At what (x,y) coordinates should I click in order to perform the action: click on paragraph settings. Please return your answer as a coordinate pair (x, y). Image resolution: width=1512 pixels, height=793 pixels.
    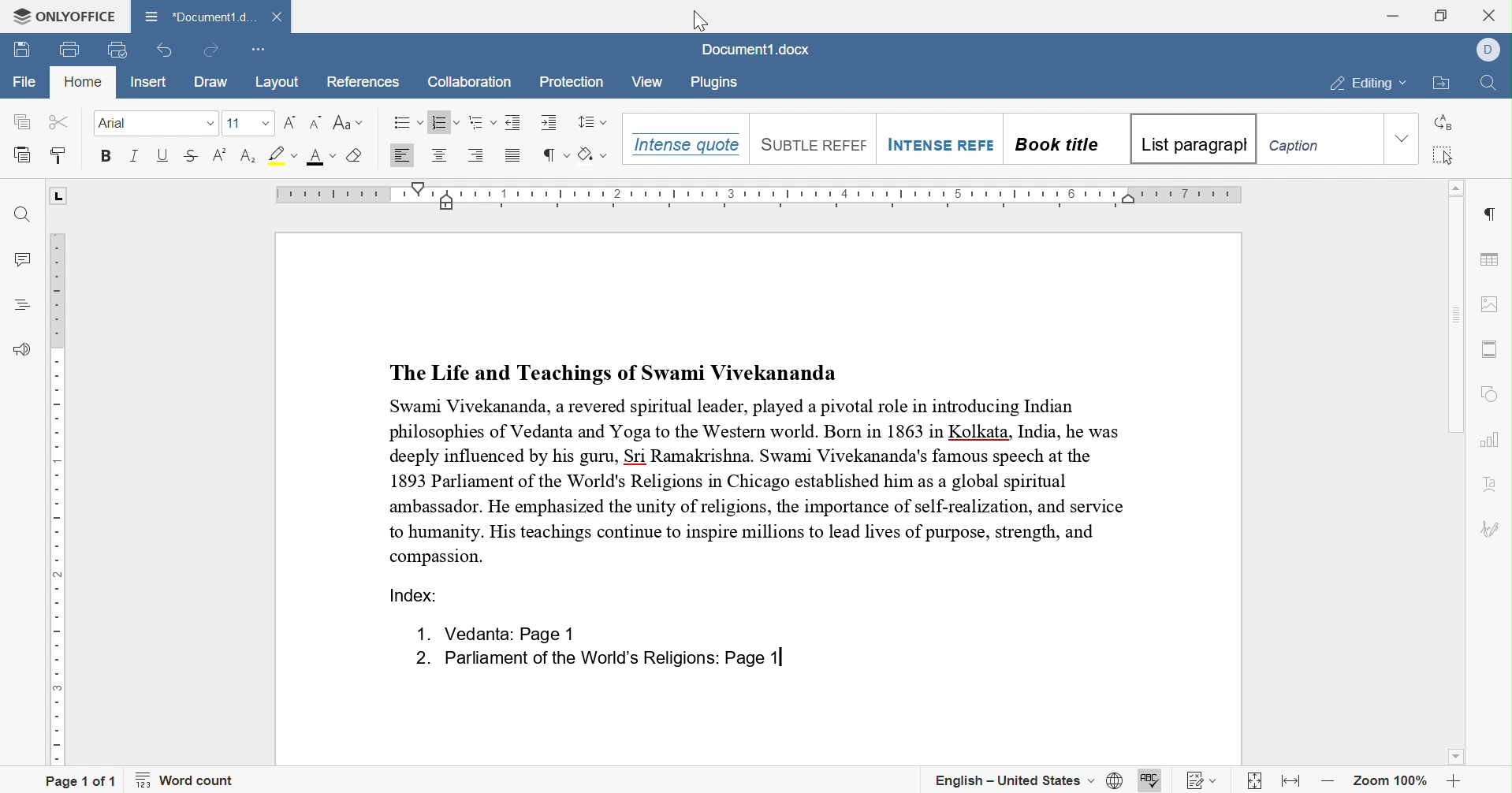
    Looking at the image, I should click on (1493, 214).